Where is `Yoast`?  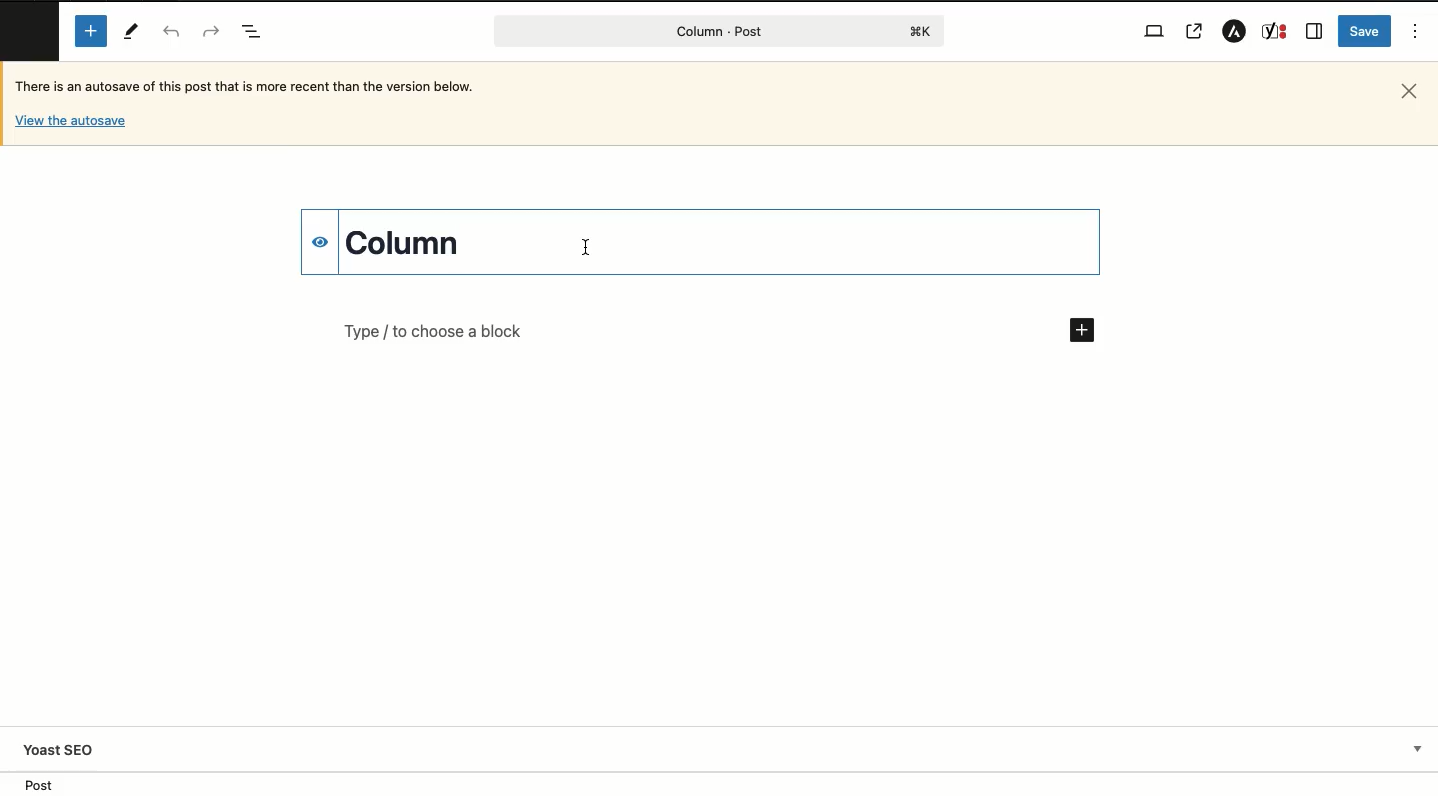
Yoast is located at coordinates (1274, 31).